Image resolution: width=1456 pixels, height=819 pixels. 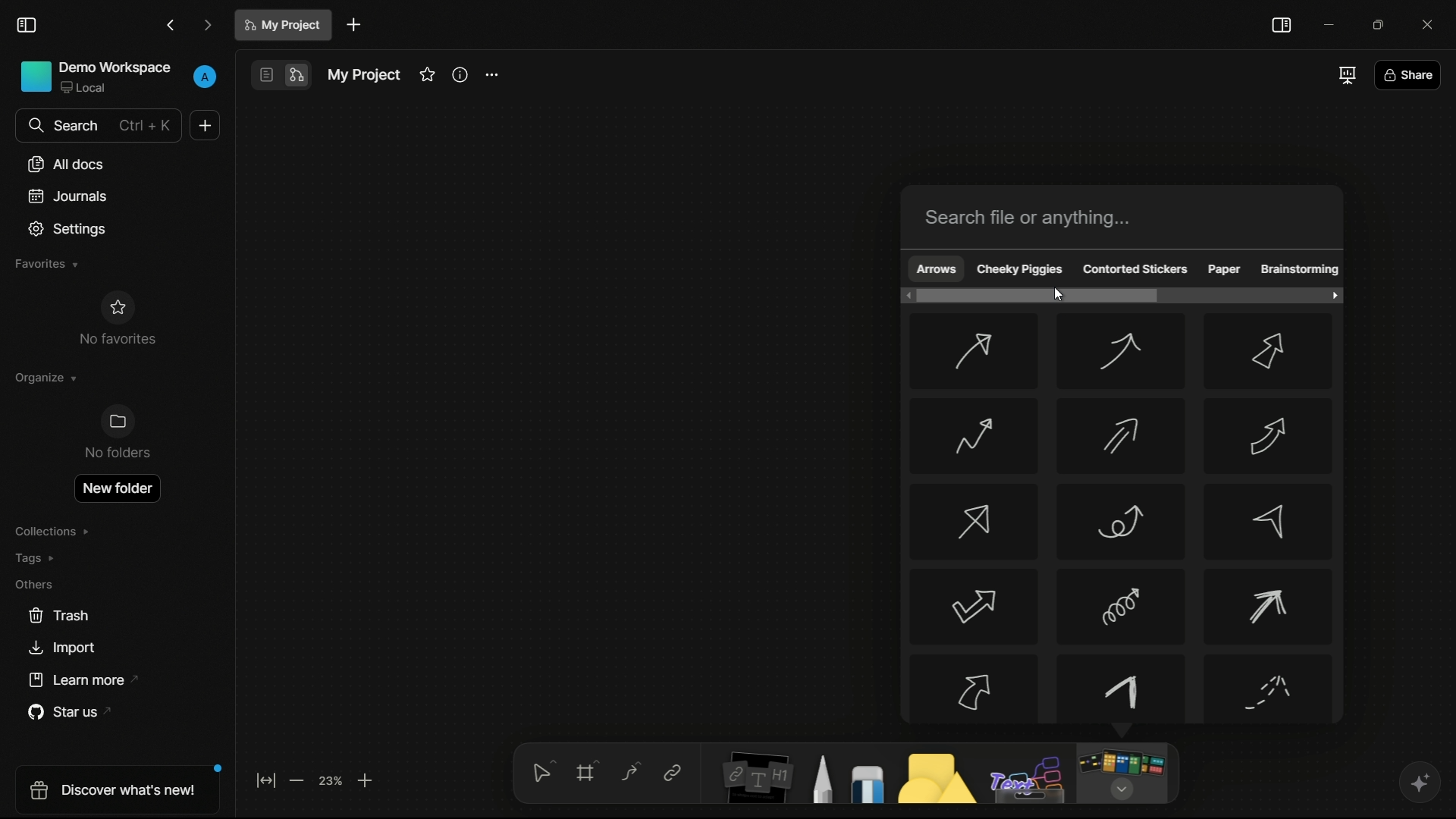 What do you see at coordinates (934, 777) in the screenshot?
I see `shapes` at bounding box center [934, 777].